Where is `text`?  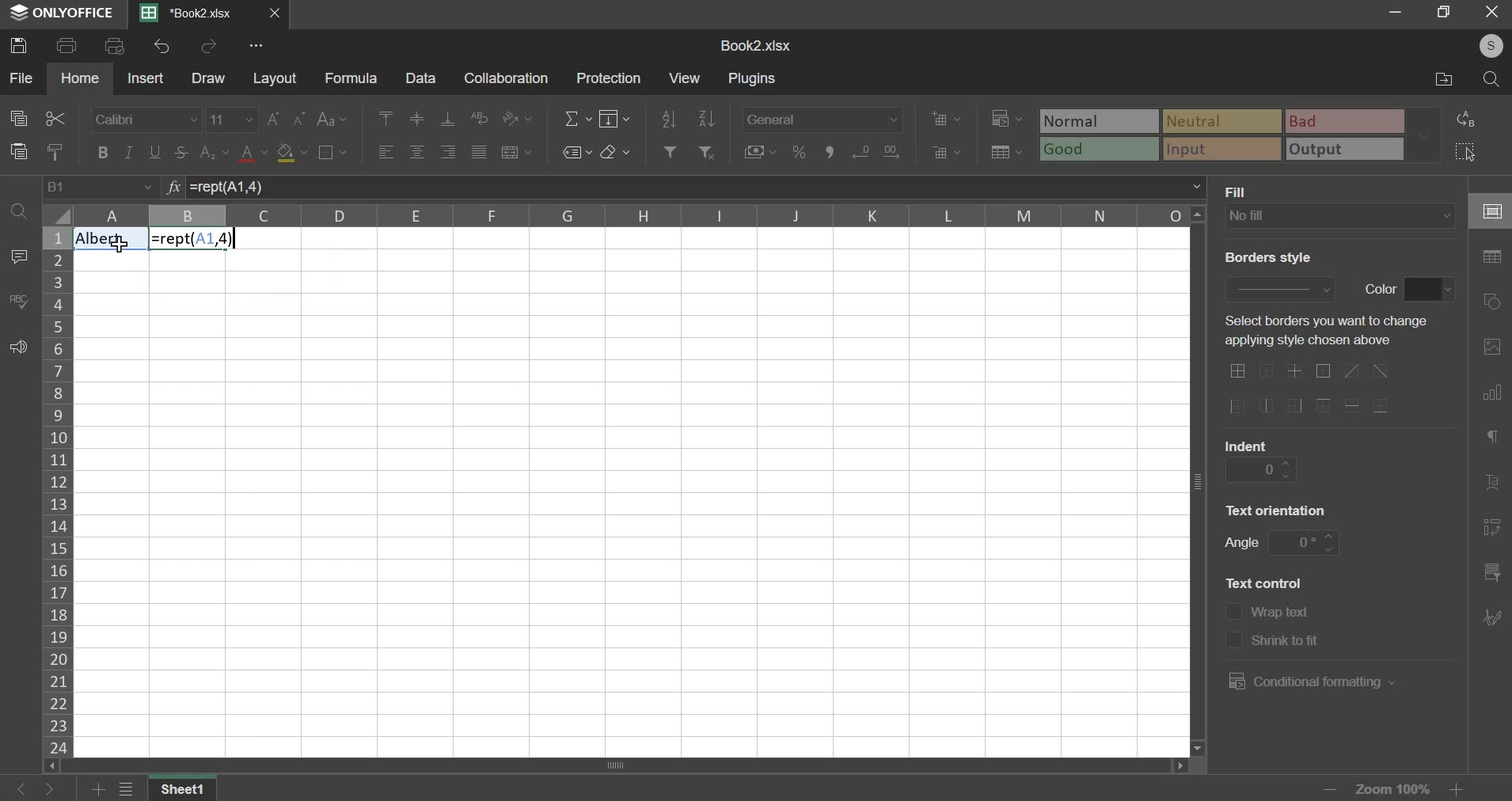 text is located at coordinates (1324, 331).